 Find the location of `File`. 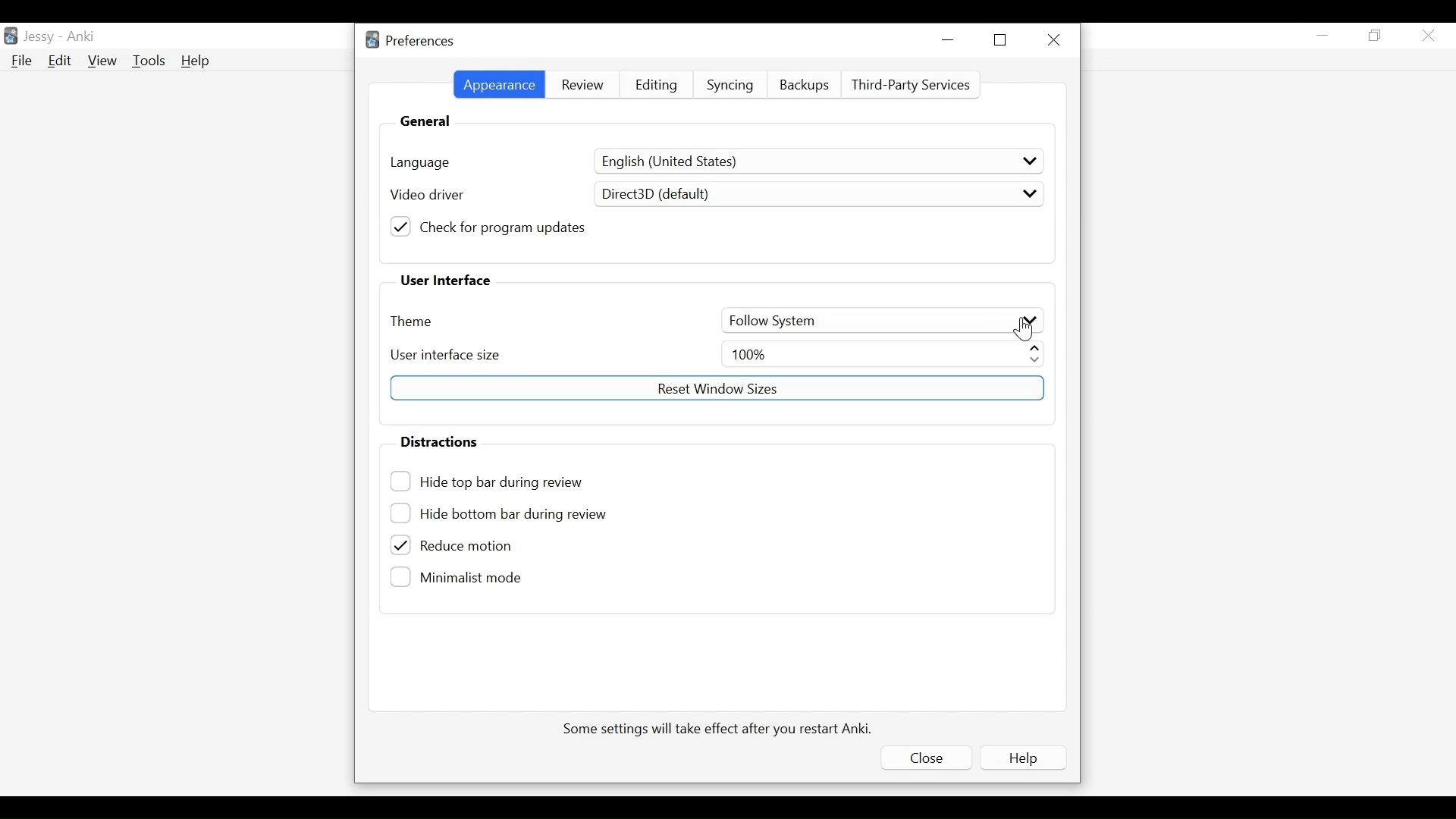

File is located at coordinates (22, 60).